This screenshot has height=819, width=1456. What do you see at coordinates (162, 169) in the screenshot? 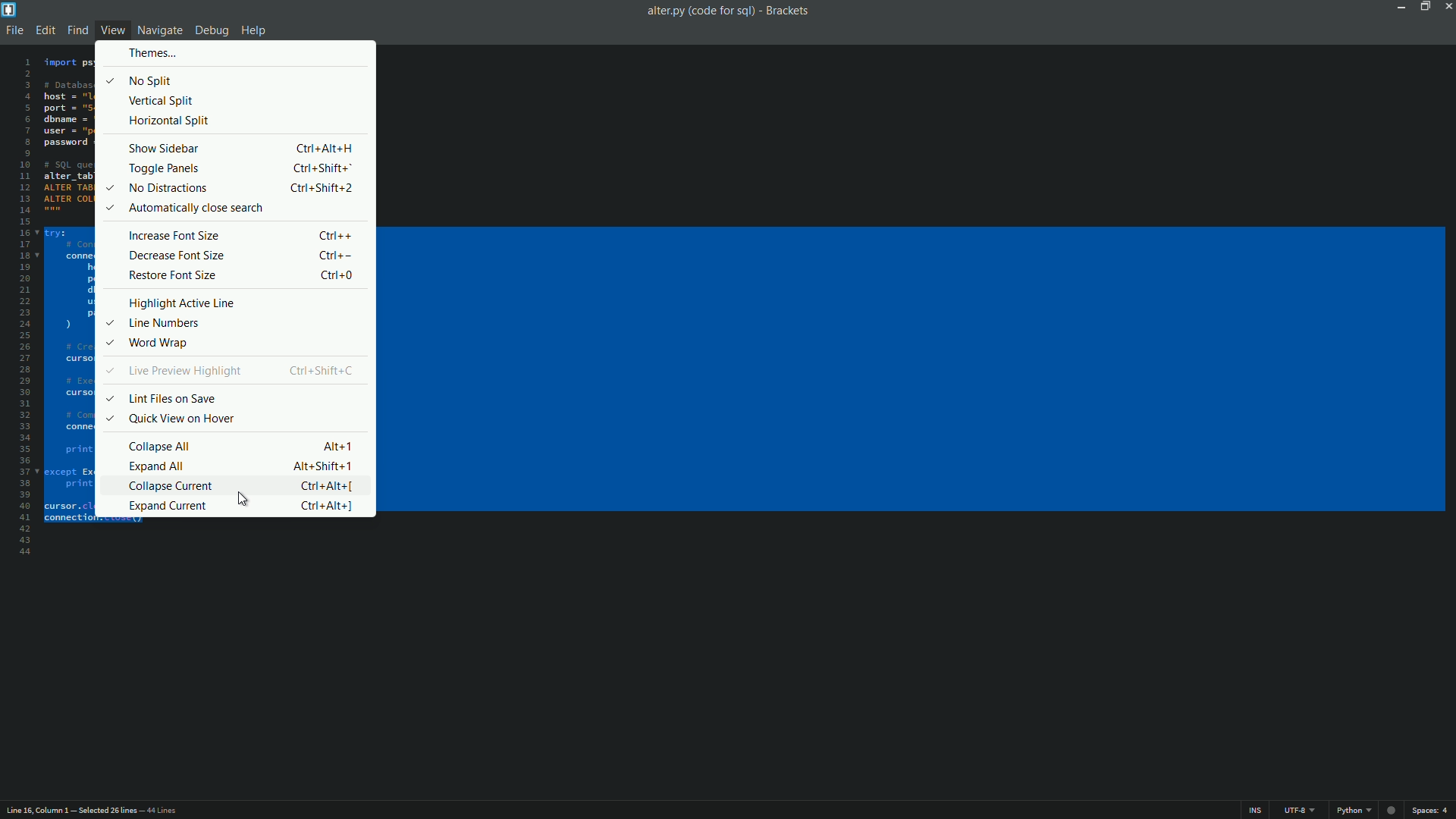
I see `toggle panels` at bounding box center [162, 169].